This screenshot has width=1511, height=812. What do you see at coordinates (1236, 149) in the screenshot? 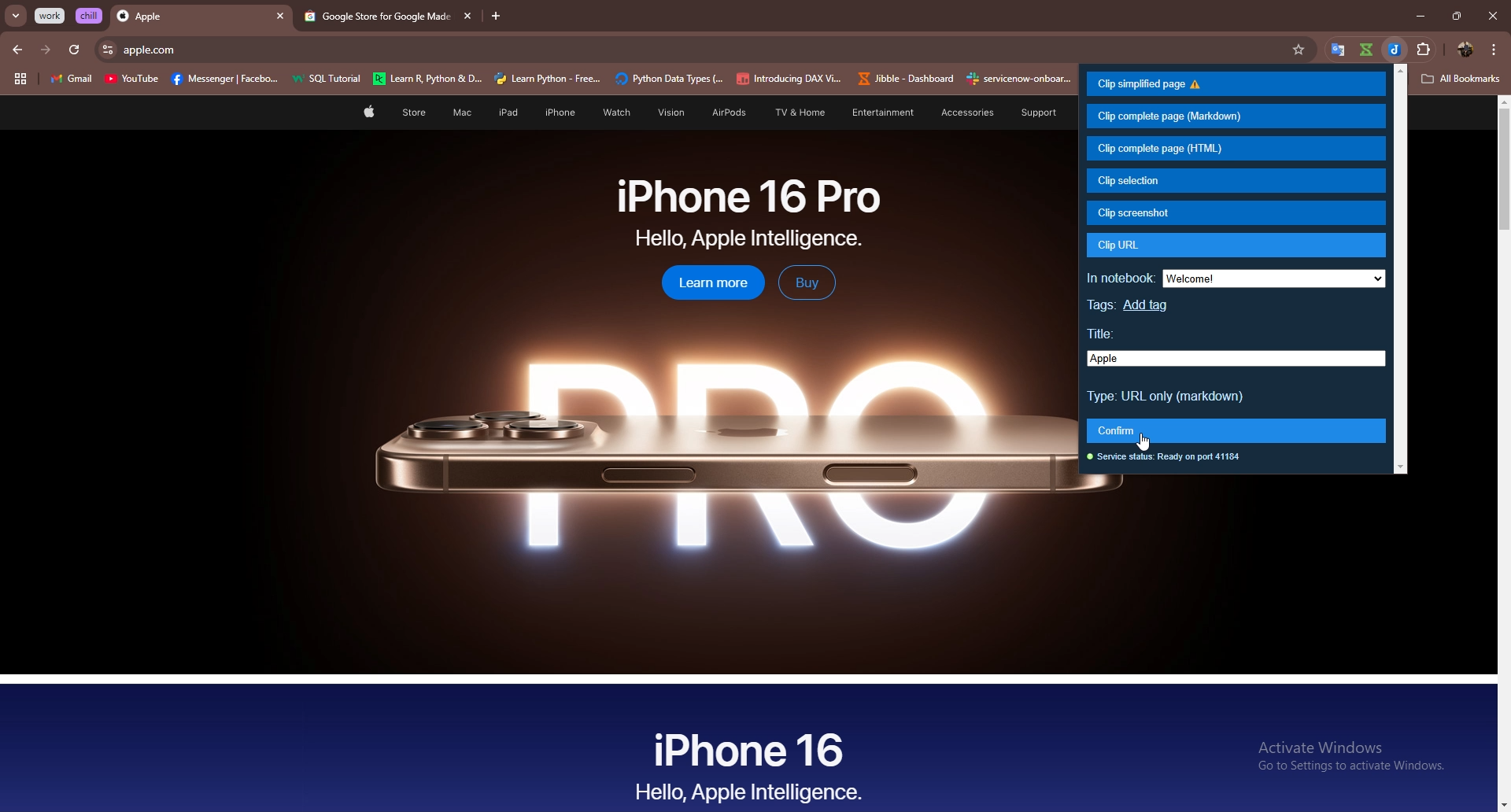
I see `clip complete page (html)` at bounding box center [1236, 149].